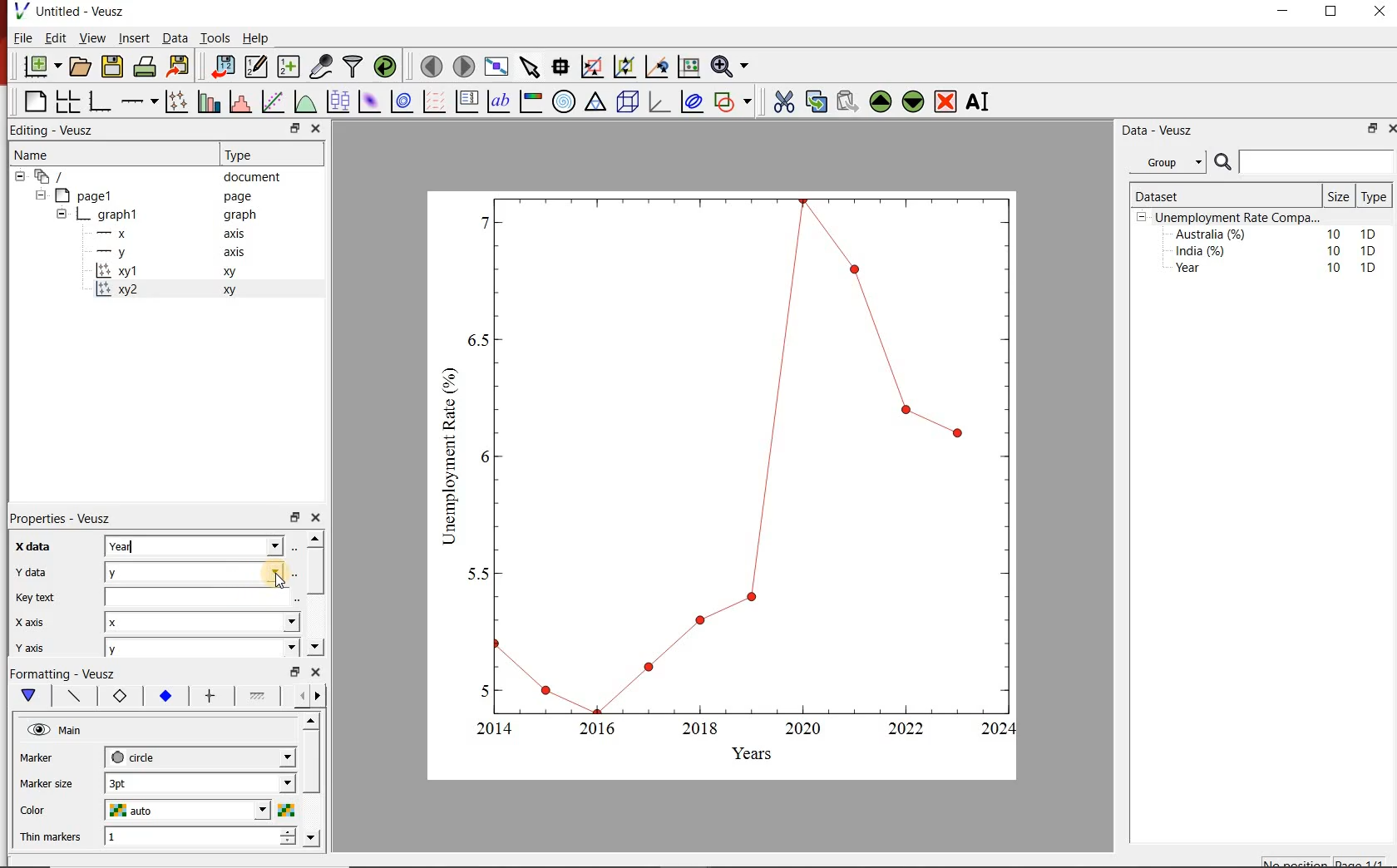 Image resolution: width=1397 pixels, height=868 pixels. I want to click on y axis, so click(180, 253).